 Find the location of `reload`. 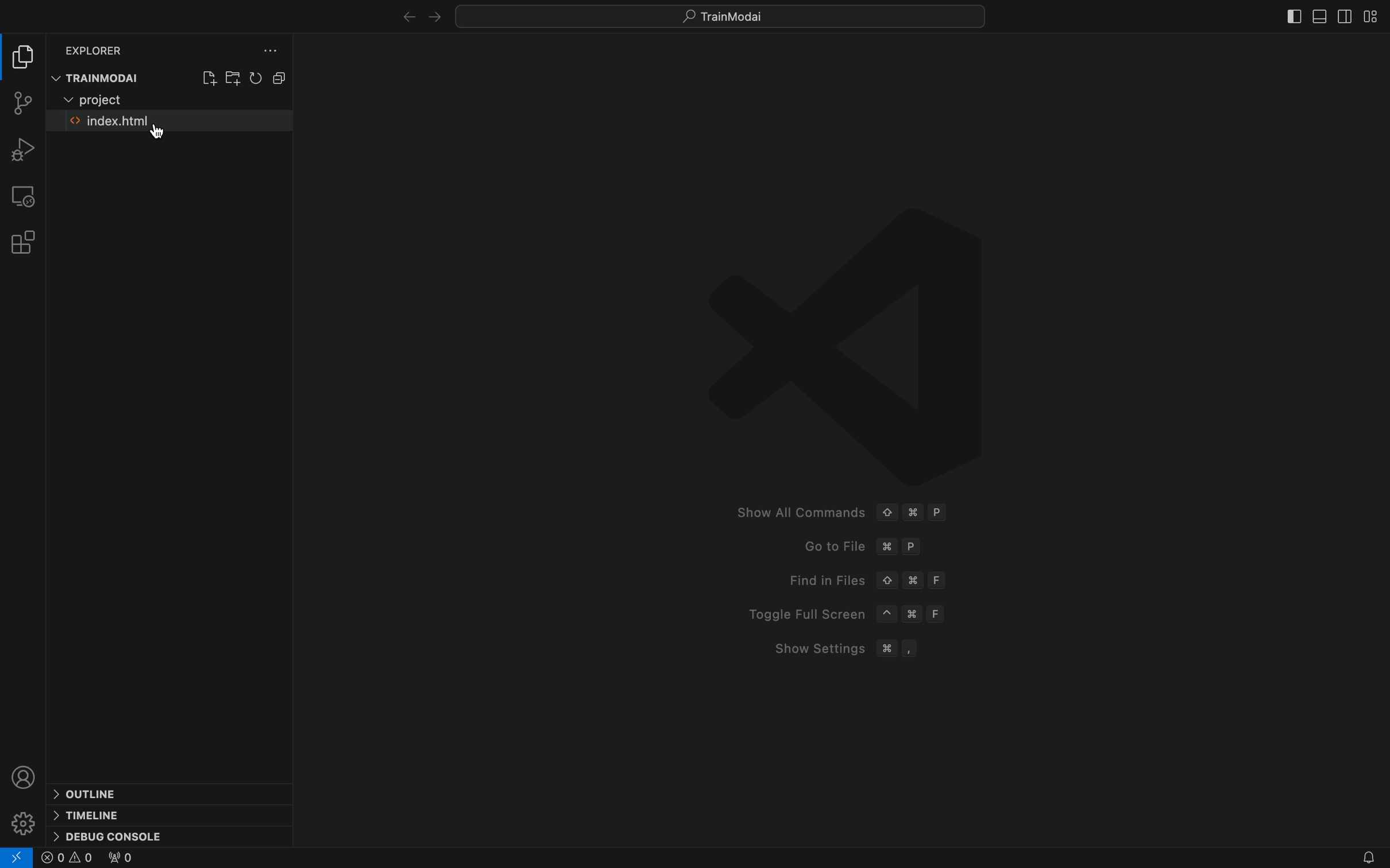

reload is located at coordinates (258, 78).